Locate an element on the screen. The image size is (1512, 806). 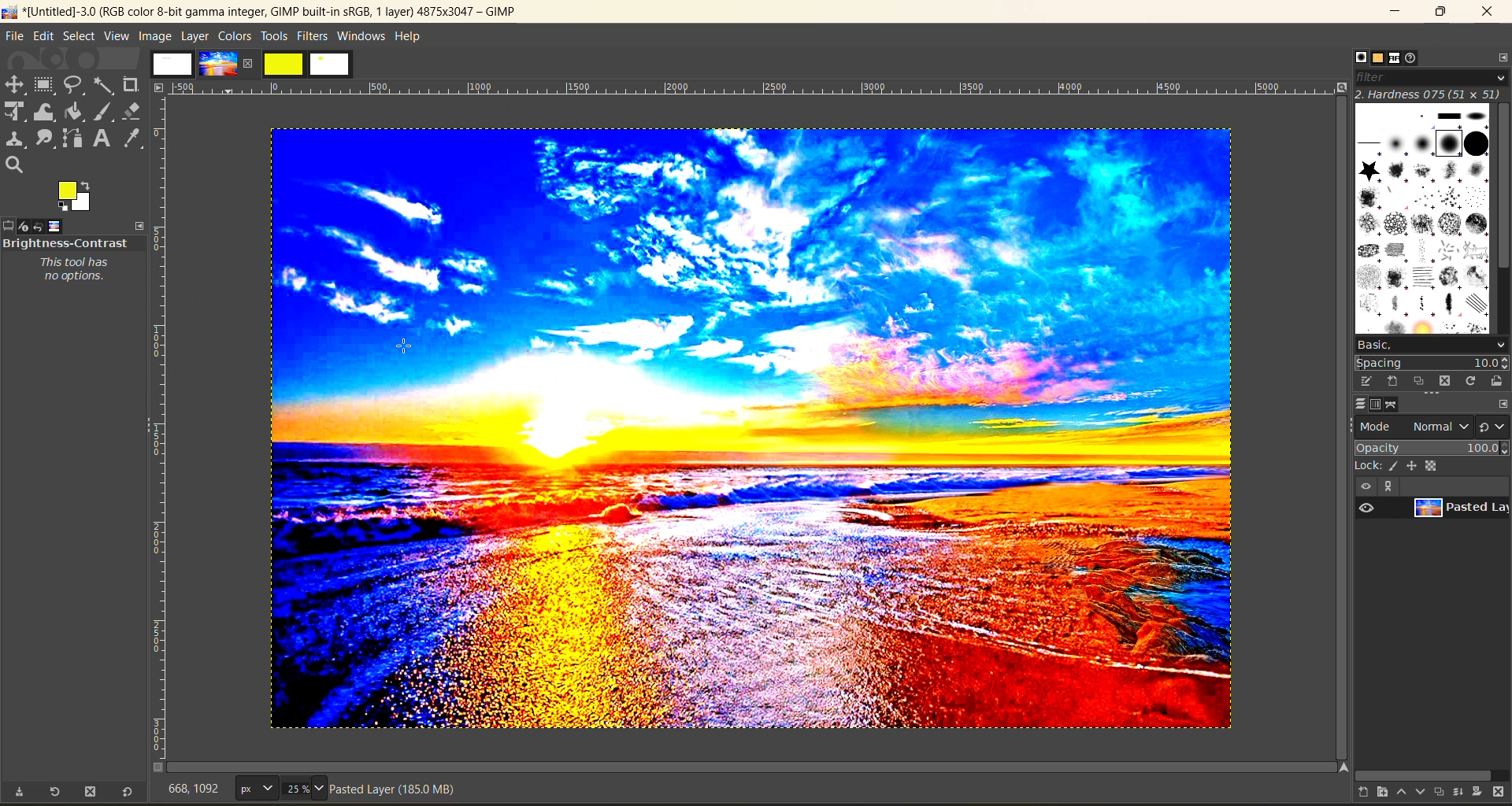
patterns is located at coordinates (1380, 58).